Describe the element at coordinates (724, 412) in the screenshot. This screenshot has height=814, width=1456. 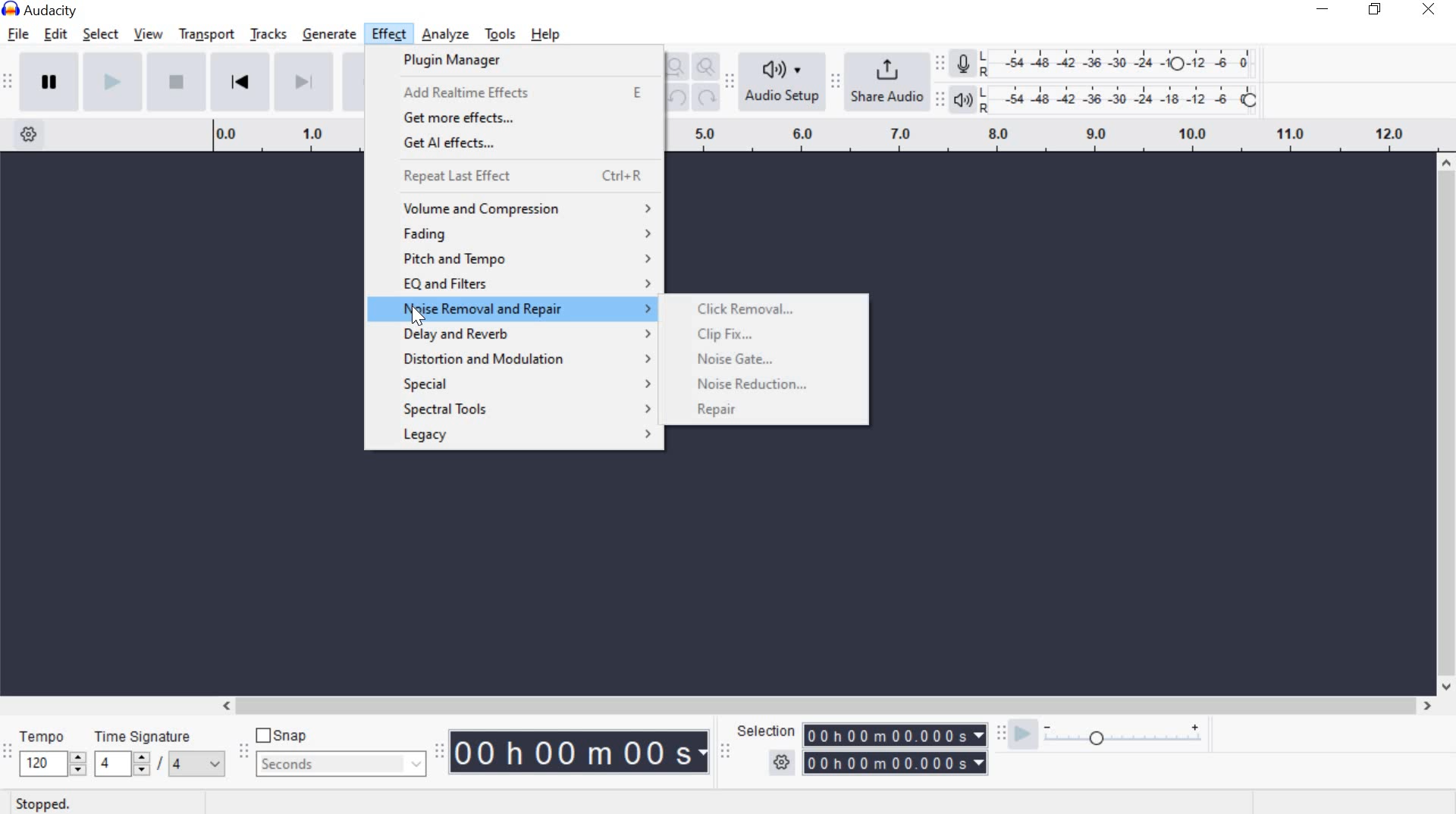
I see `repair` at that location.